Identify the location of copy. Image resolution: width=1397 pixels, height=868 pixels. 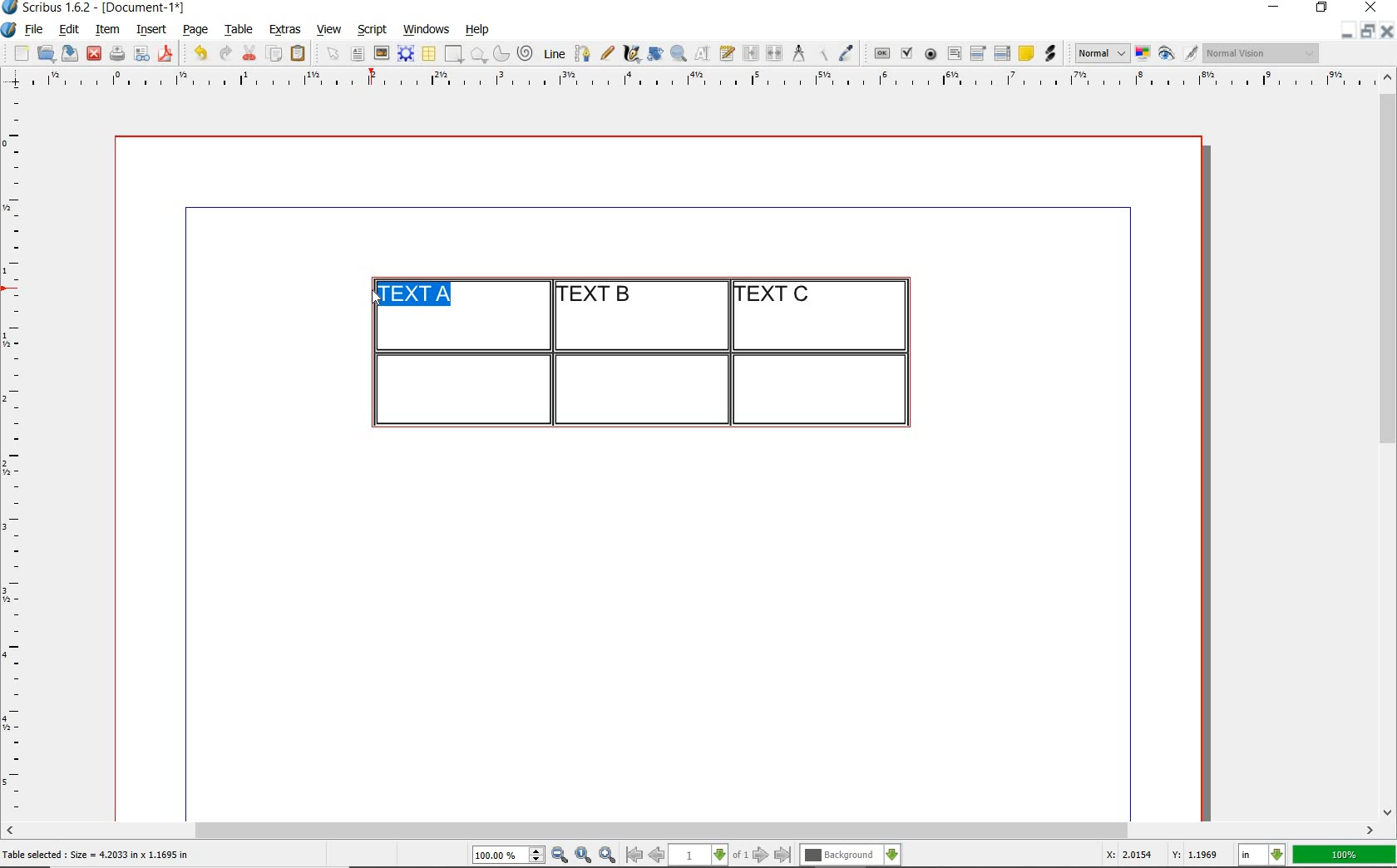
(275, 55).